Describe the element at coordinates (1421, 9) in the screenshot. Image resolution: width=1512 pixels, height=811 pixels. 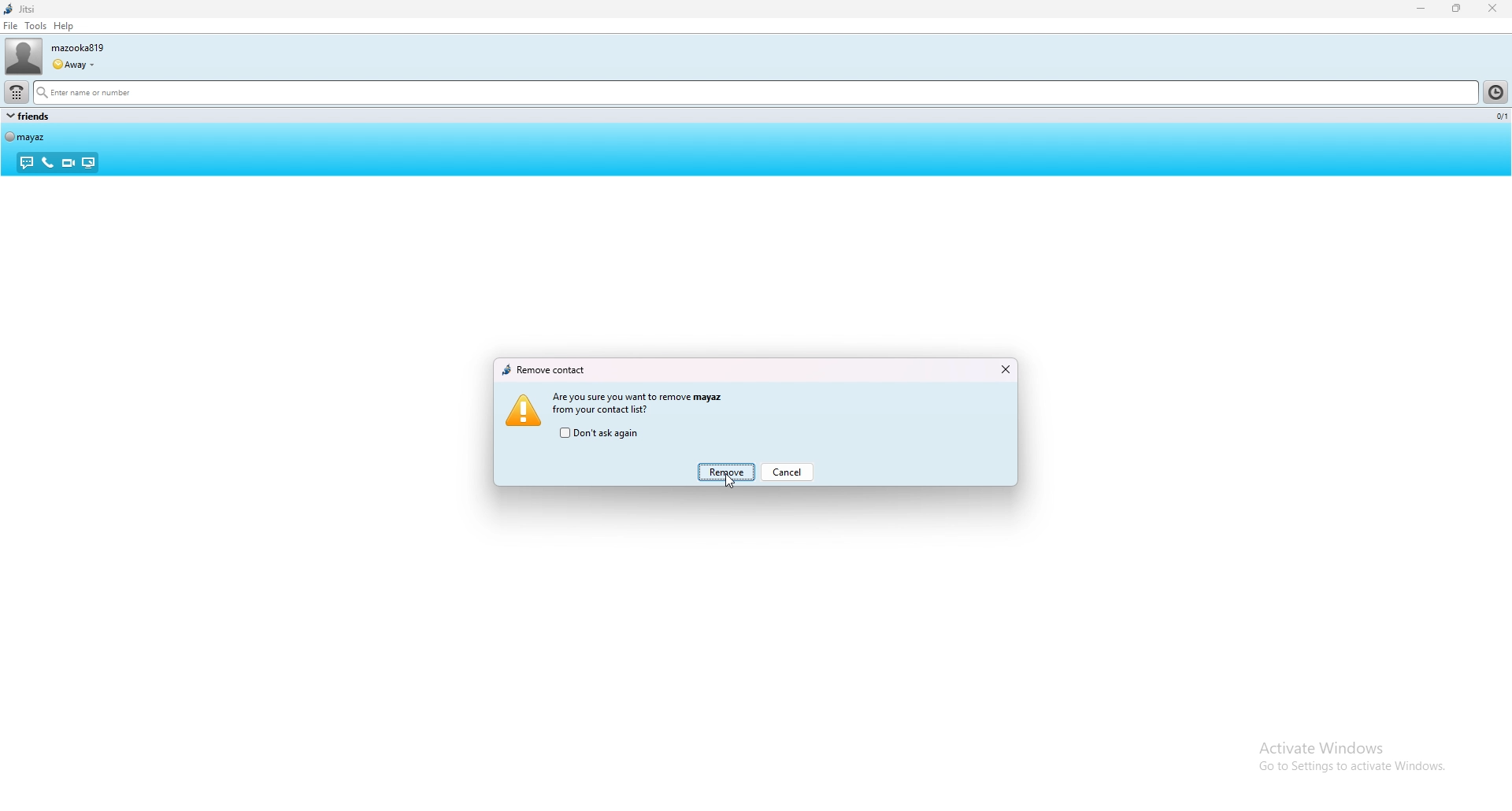
I see `minimize` at that location.